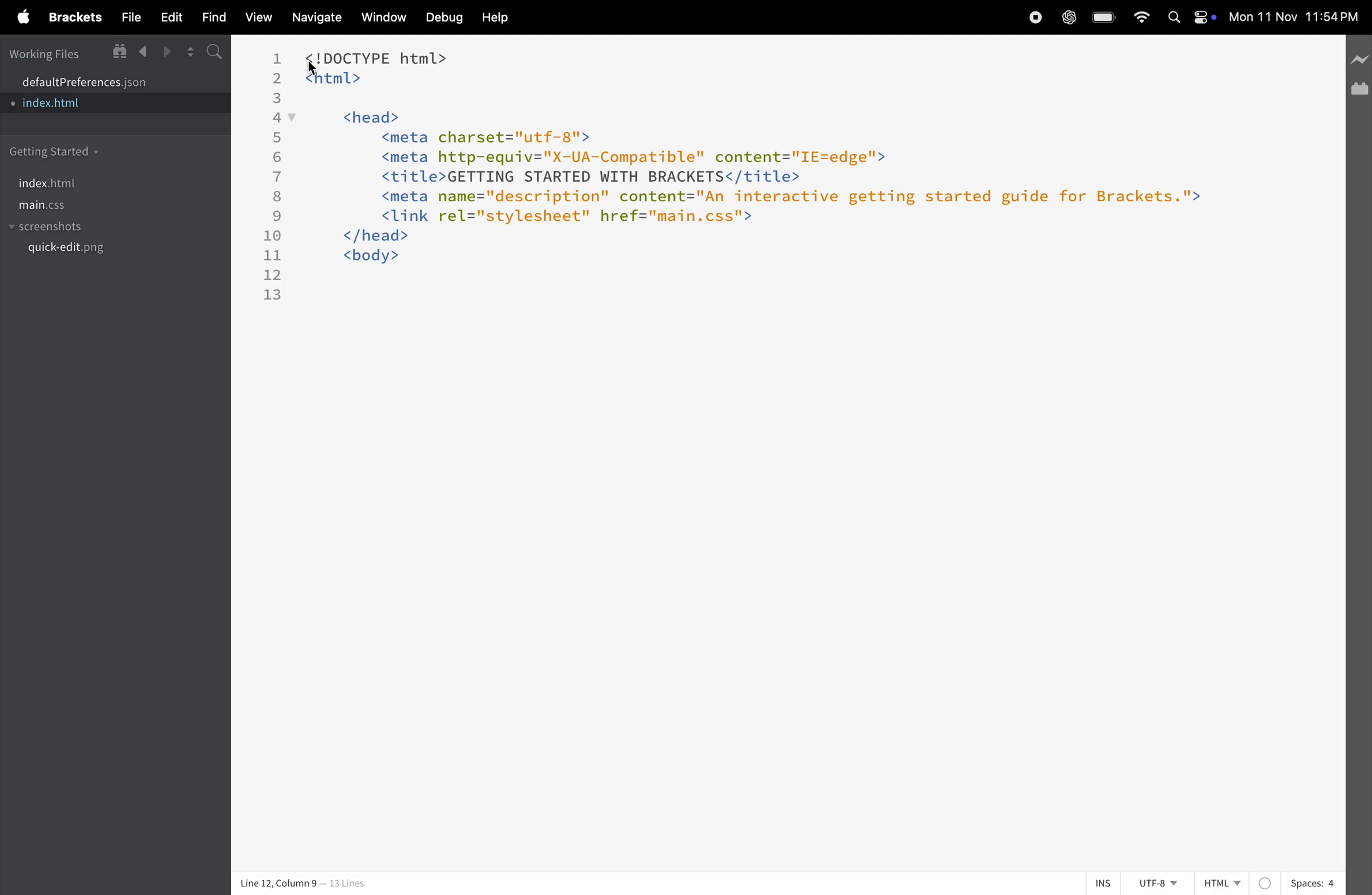  Describe the element at coordinates (280, 176) in the screenshot. I see `7` at that location.